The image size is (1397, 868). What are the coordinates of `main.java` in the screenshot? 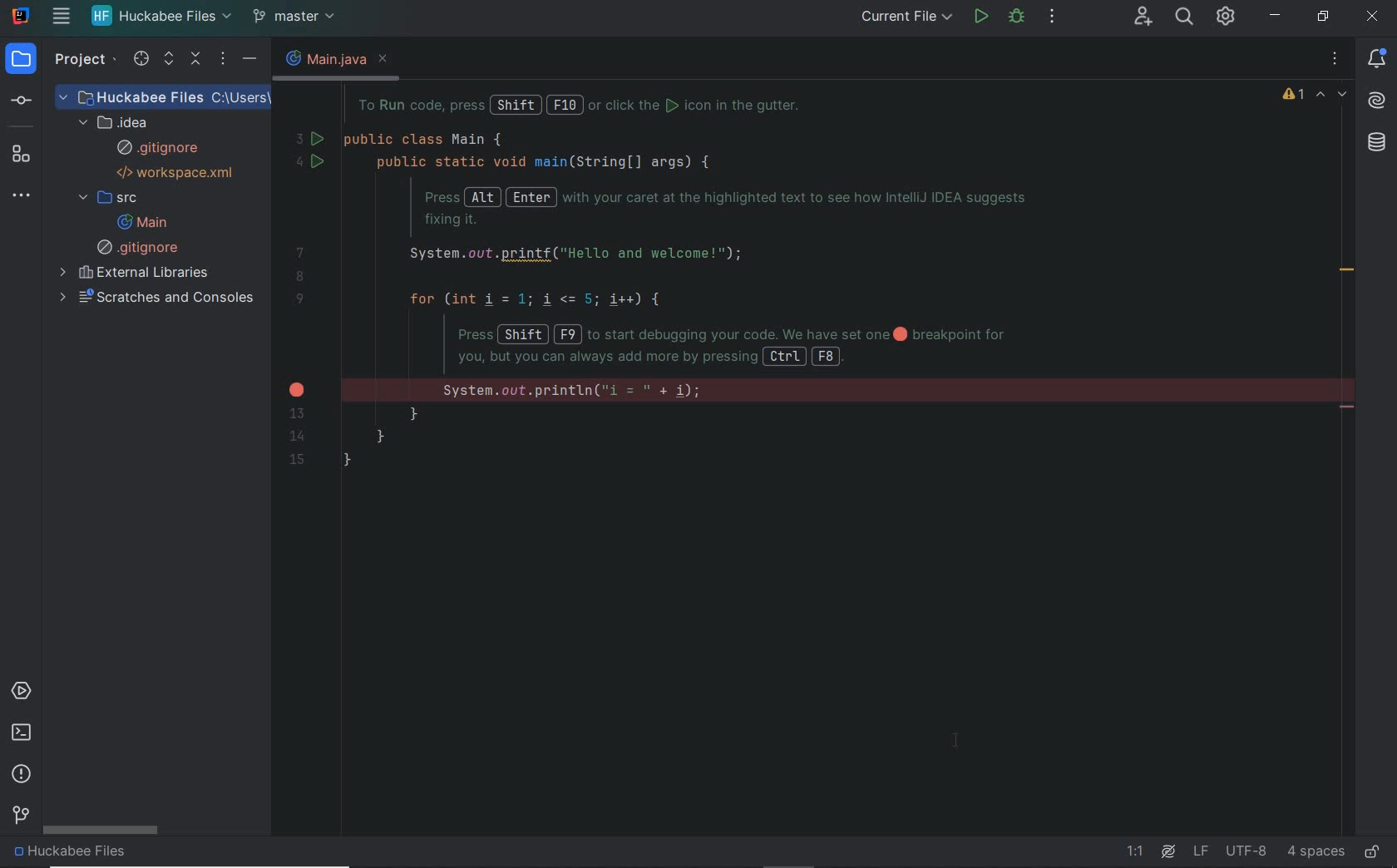 It's located at (320, 58).